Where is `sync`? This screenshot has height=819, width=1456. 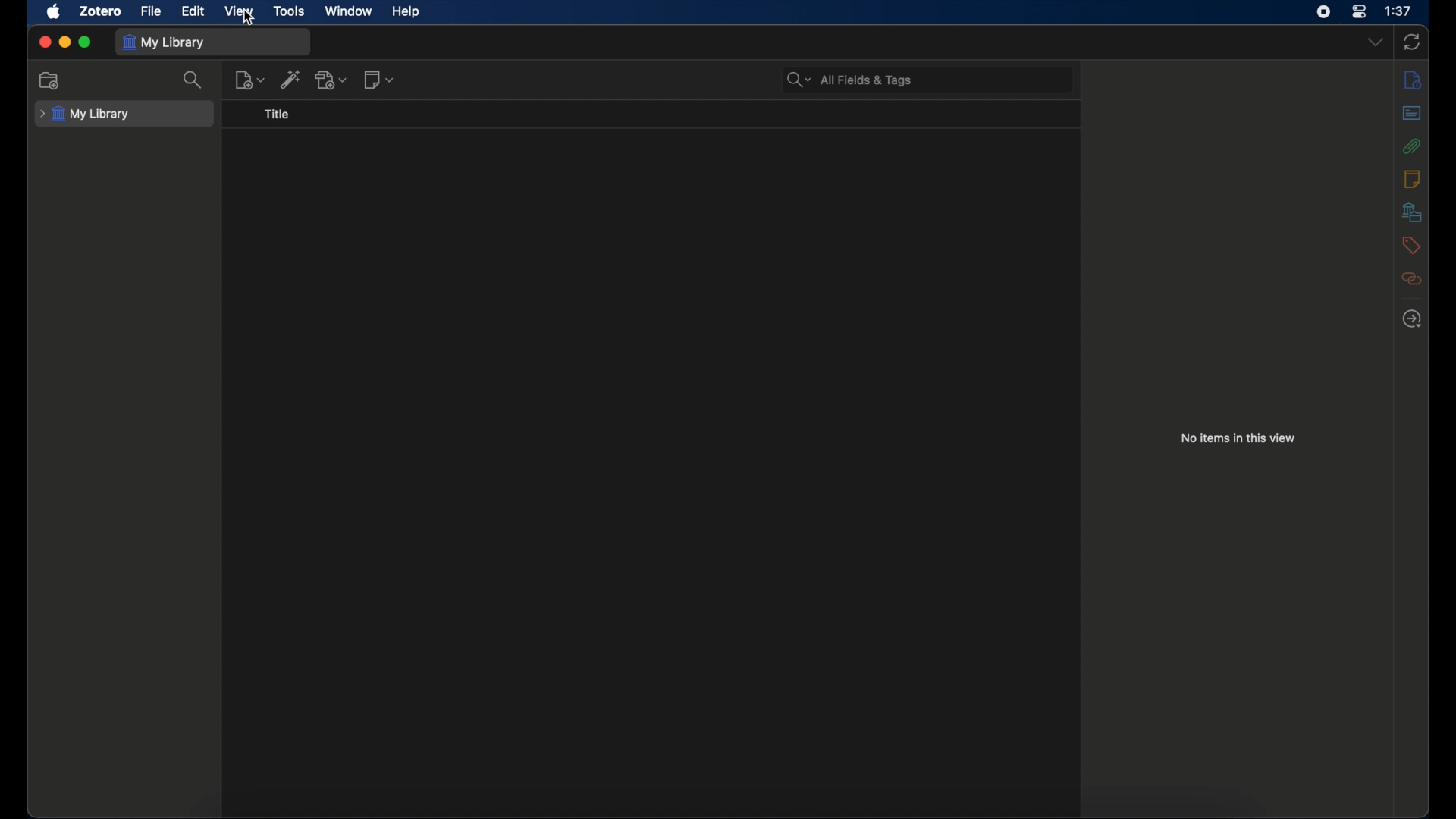 sync is located at coordinates (1412, 42).